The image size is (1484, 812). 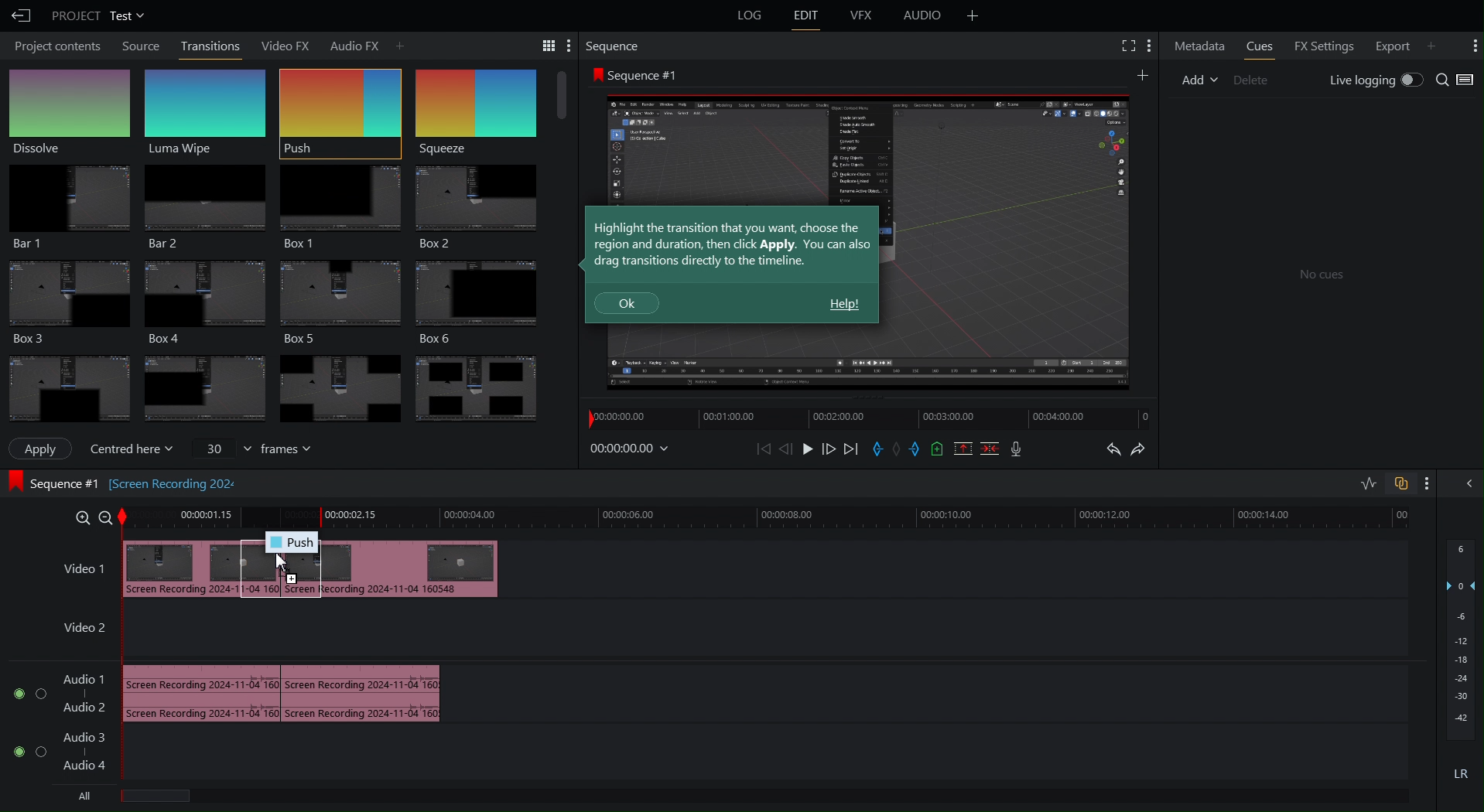 I want to click on Box 3, so click(x=343, y=302).